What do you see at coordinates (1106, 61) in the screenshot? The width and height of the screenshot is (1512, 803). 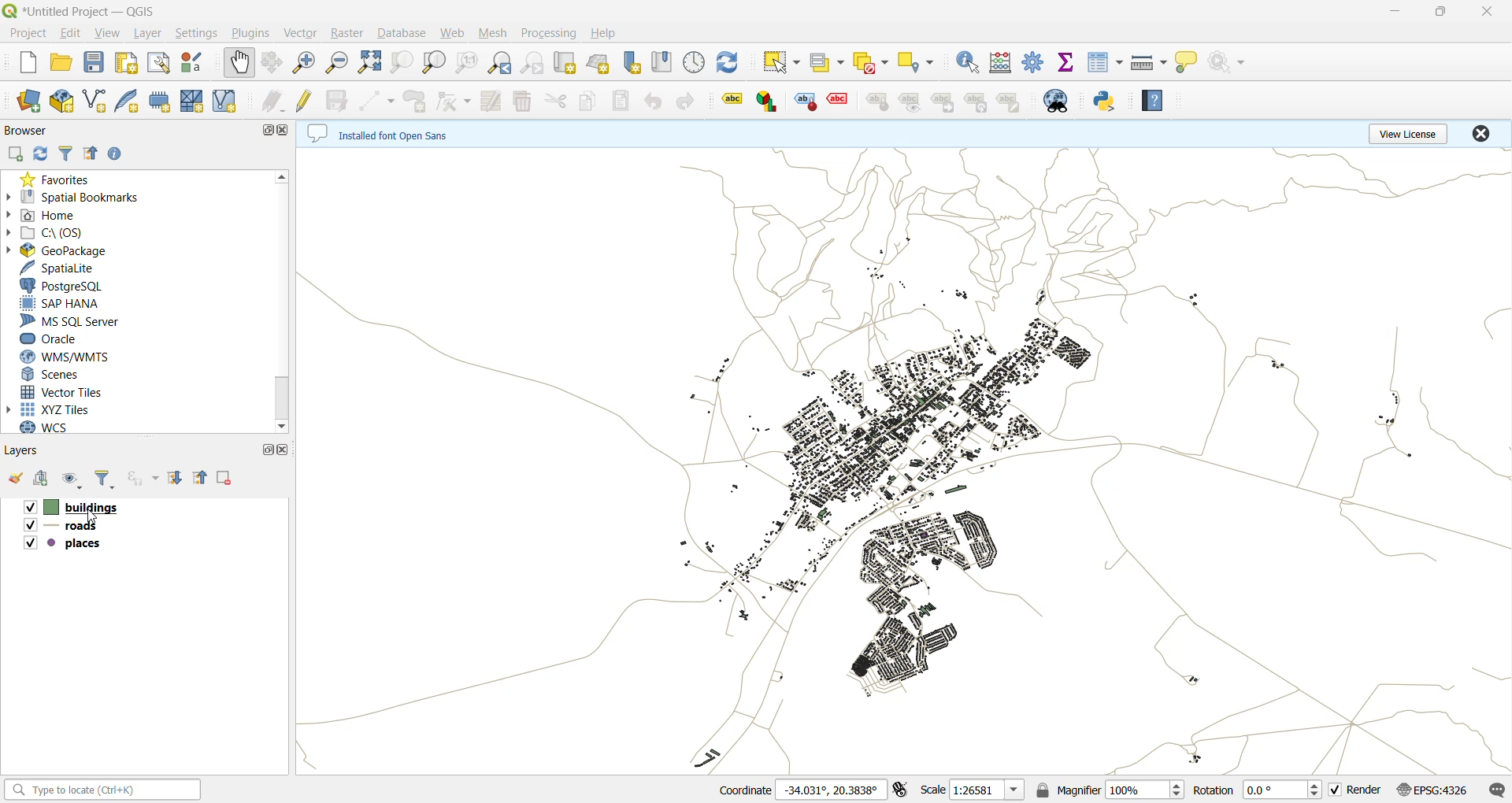 I see `attribute table` at bounding box center [1106, 61].